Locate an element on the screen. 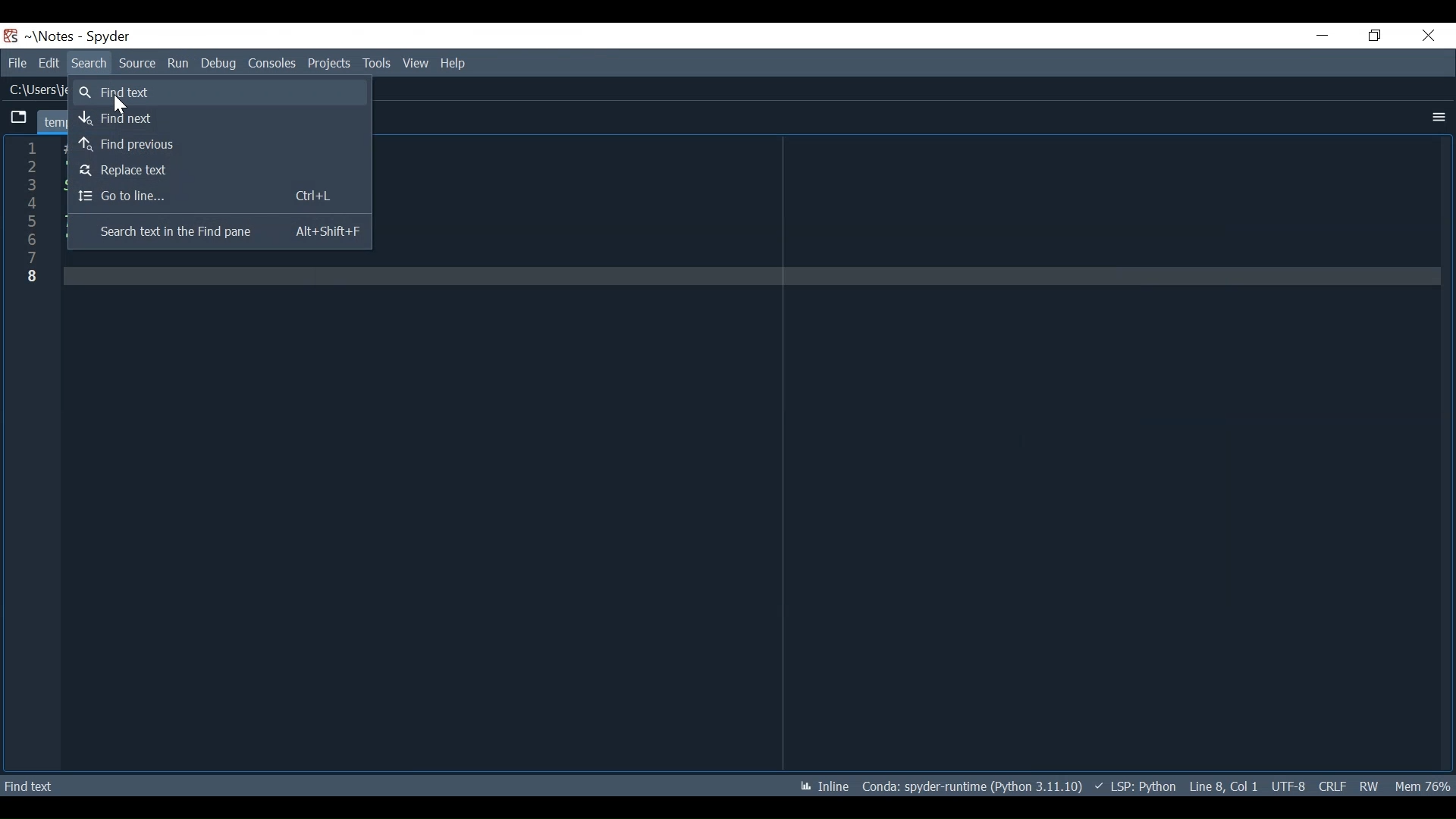 The height and width of the screenshot is (819, 1456). Tools is located at coordinates (378, 63).